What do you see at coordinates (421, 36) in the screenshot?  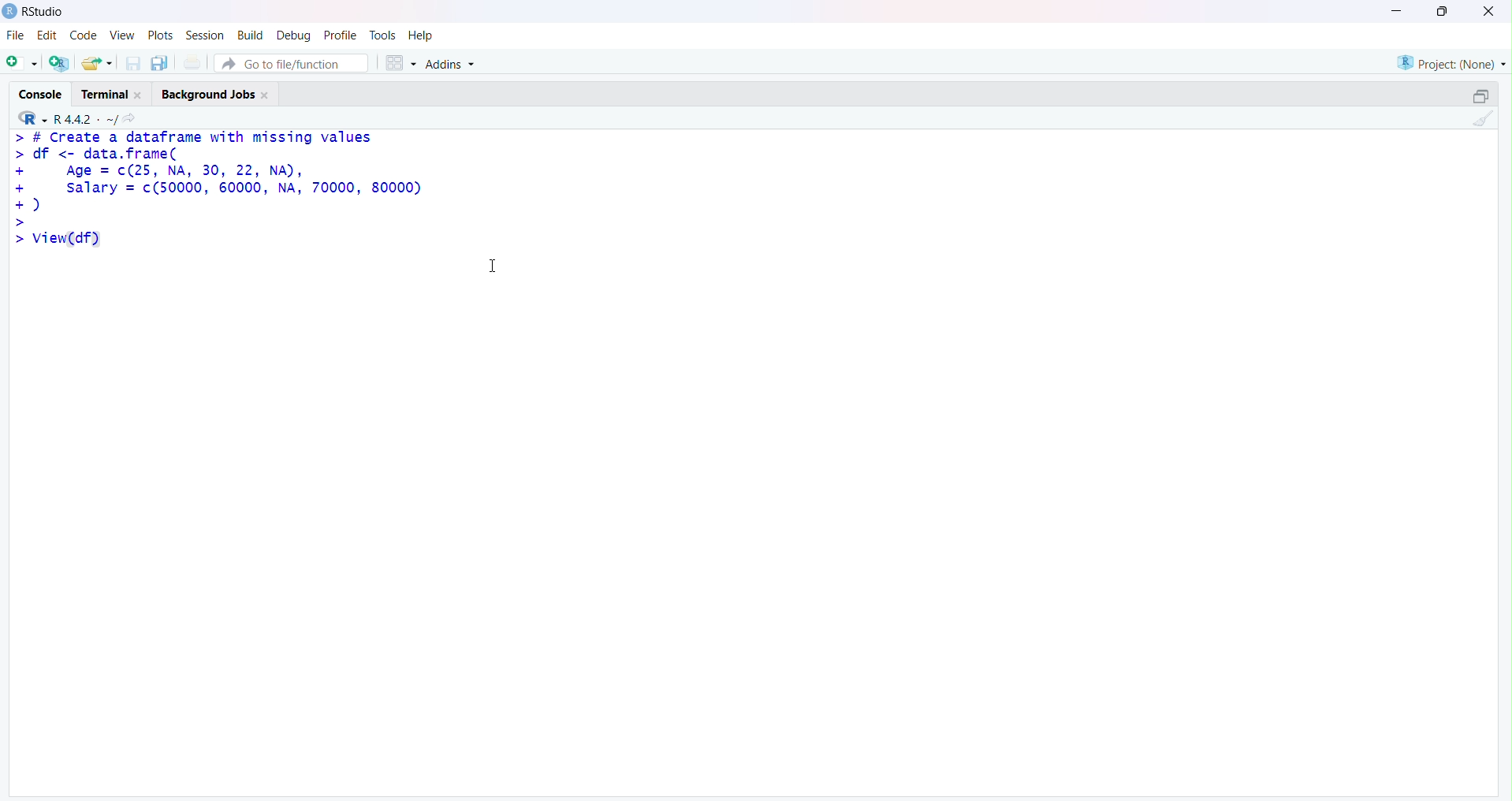 I see `Help` at bounding box center [421, 36].